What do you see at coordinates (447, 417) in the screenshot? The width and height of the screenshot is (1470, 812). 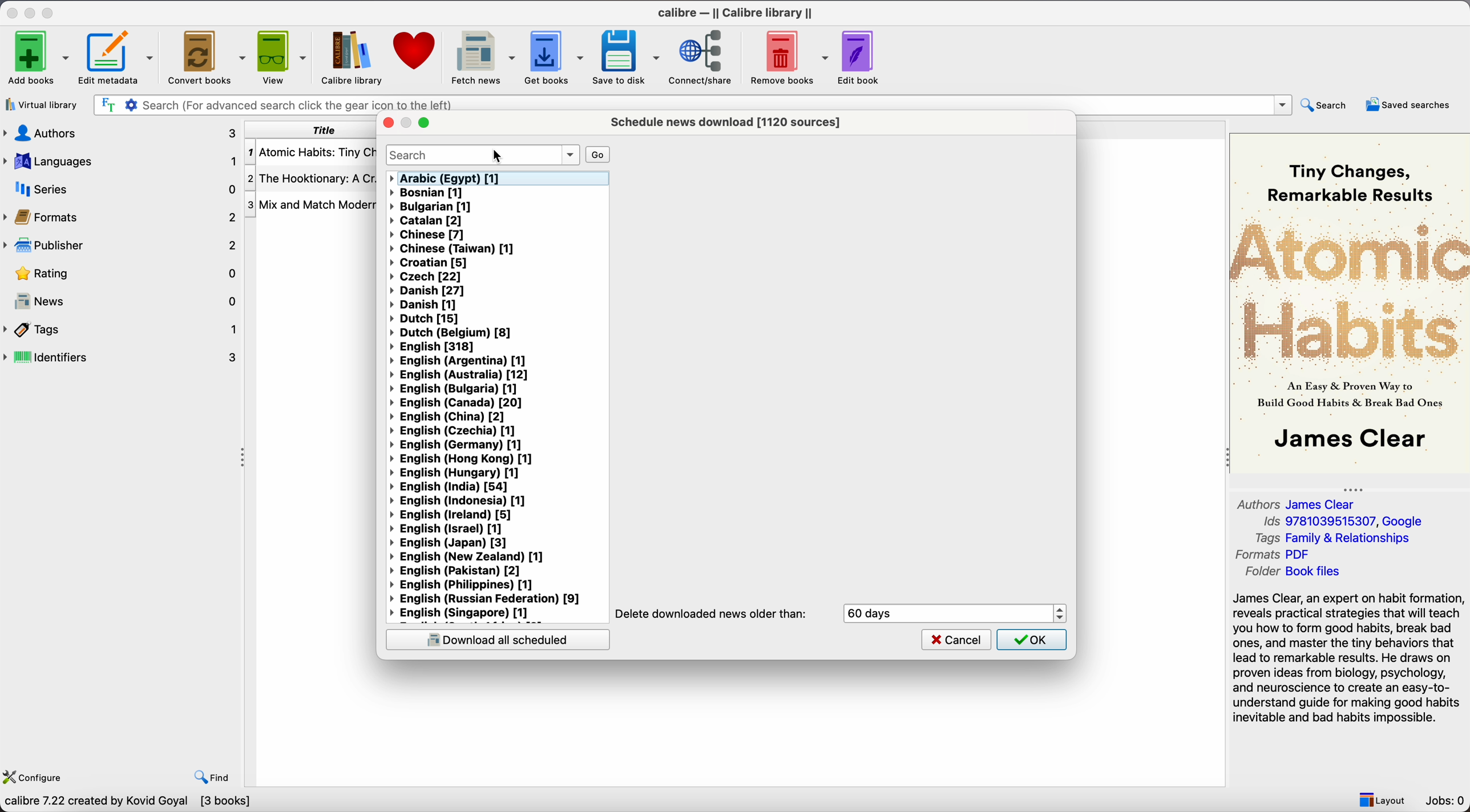 I see `English (China) [2]` at bounding box center [447, 417].